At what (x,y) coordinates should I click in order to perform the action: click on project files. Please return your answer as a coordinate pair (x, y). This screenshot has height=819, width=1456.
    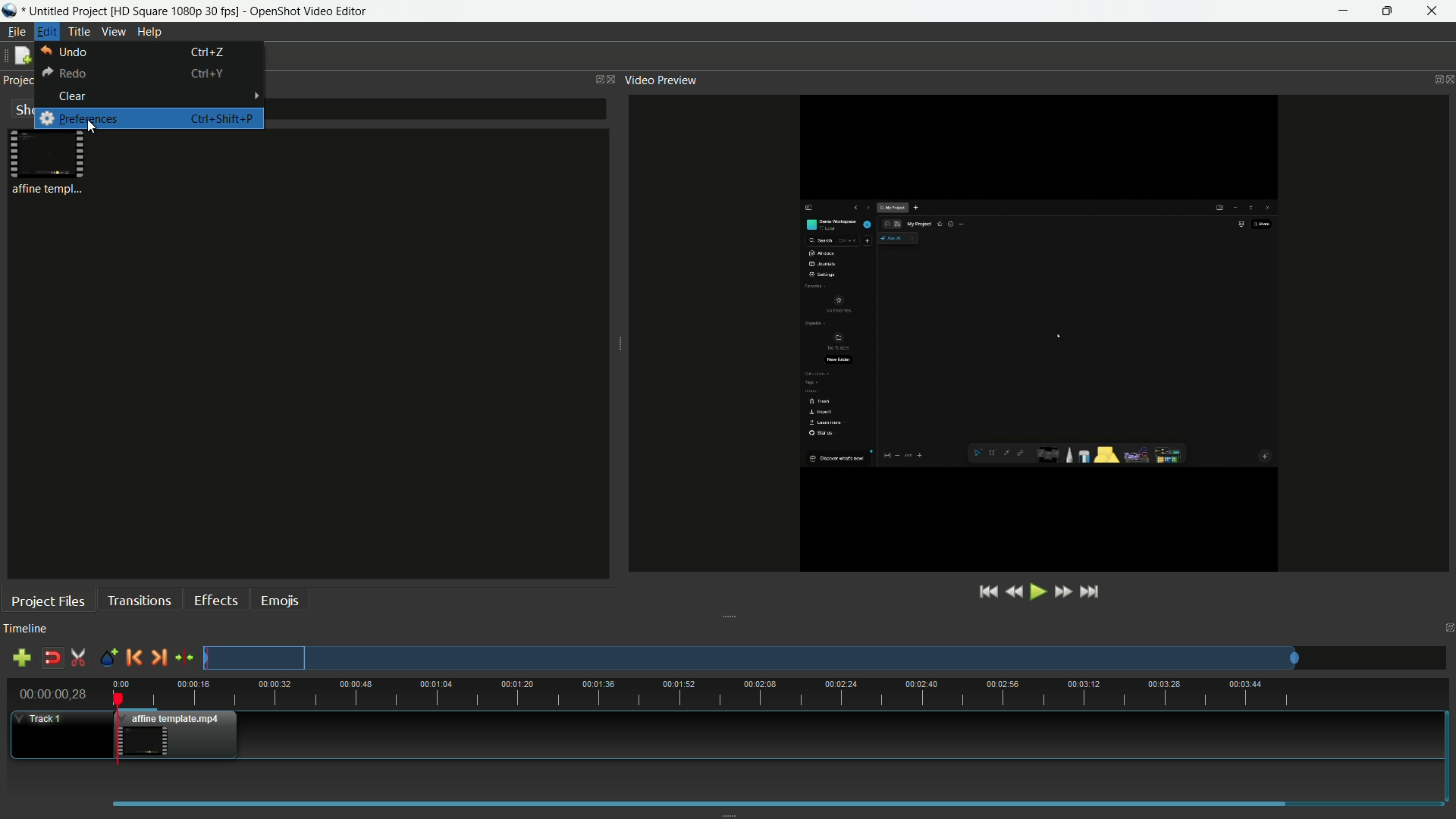
    Looking at the image, I should click on (20, 78).